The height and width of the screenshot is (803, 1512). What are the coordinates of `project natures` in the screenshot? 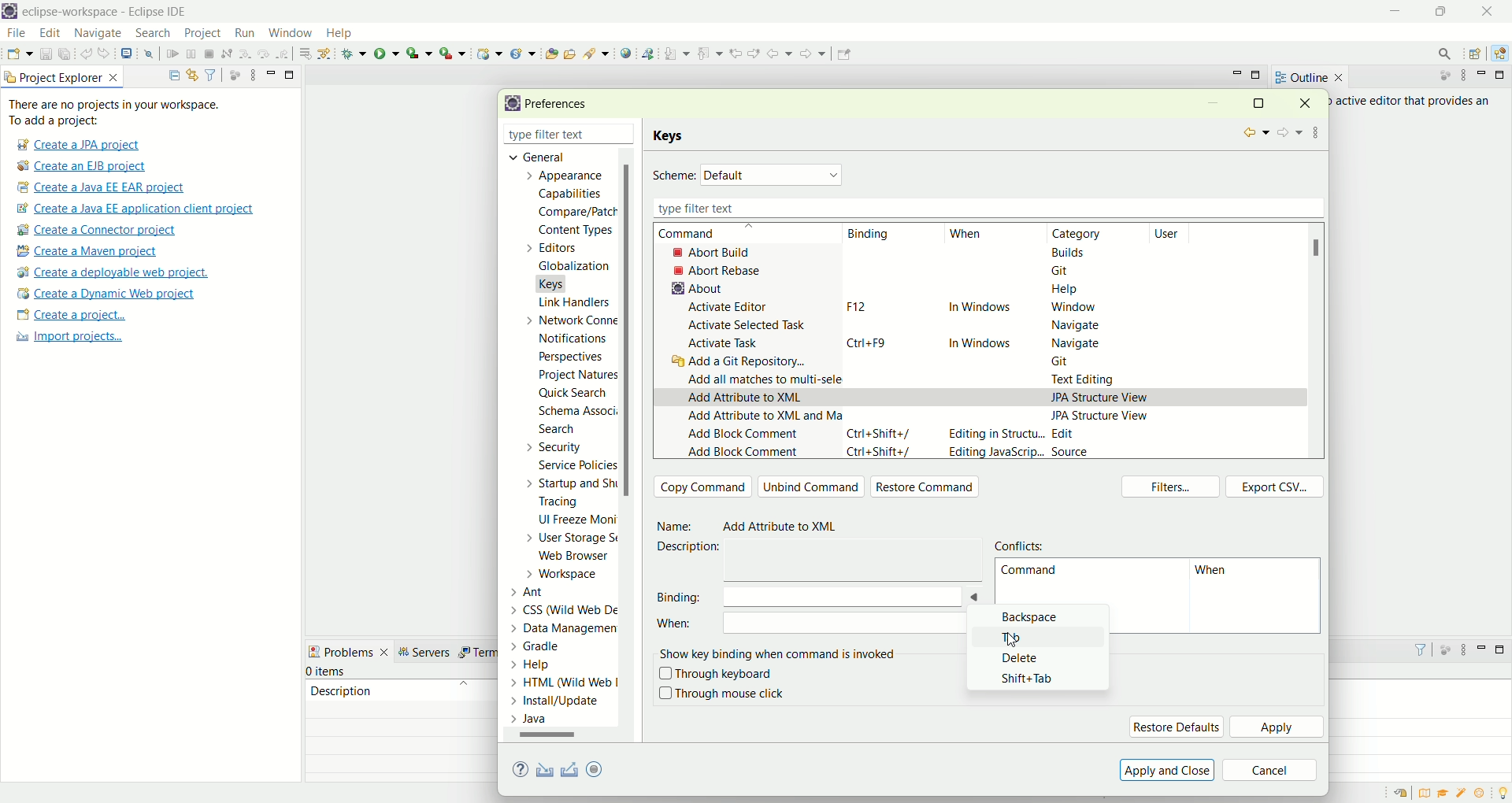 It's located at (575, 378).